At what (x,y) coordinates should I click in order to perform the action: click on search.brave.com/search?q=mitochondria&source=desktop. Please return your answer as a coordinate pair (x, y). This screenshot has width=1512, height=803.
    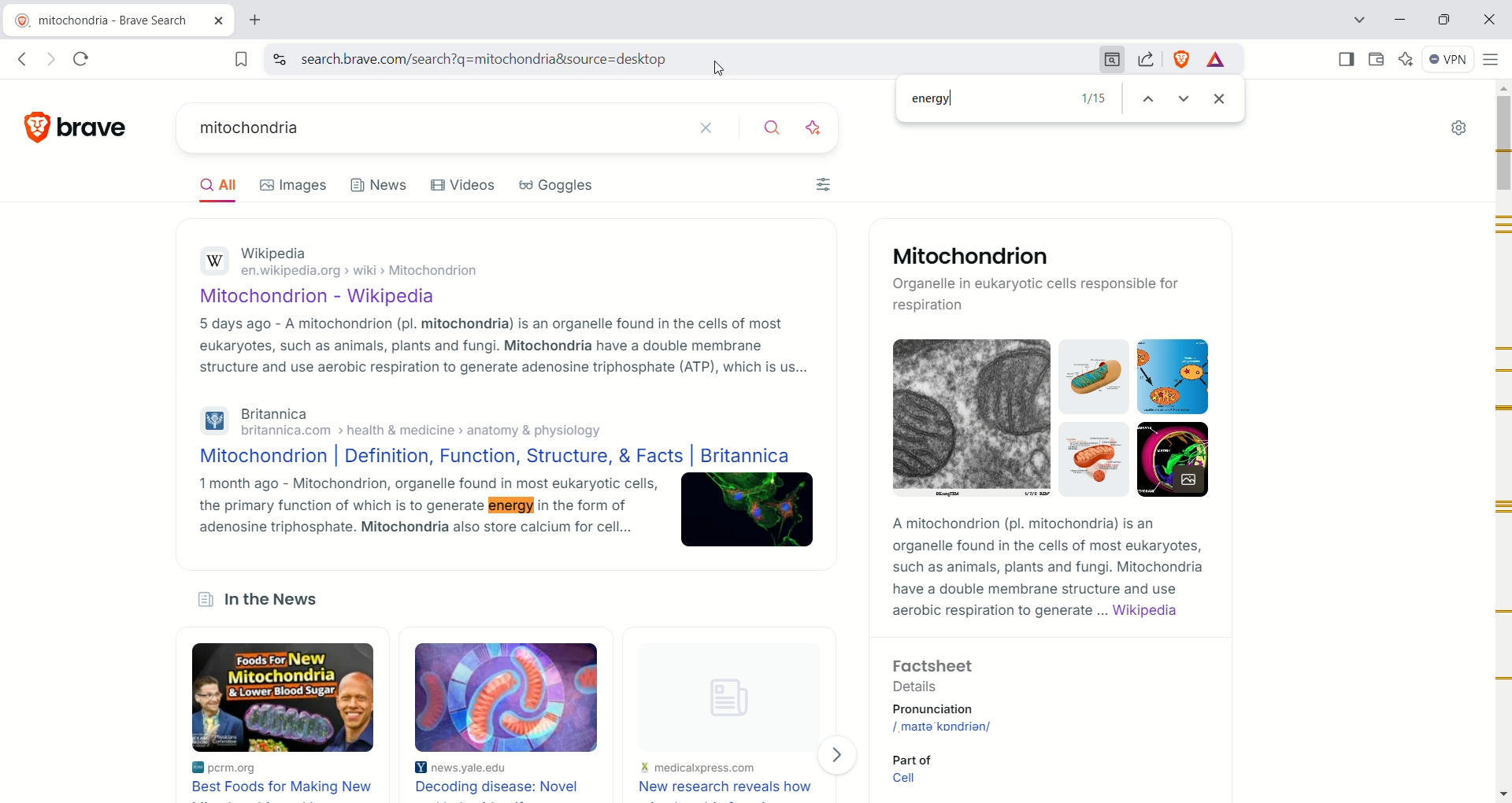
    Looking at the image, I should click on (694, 58).